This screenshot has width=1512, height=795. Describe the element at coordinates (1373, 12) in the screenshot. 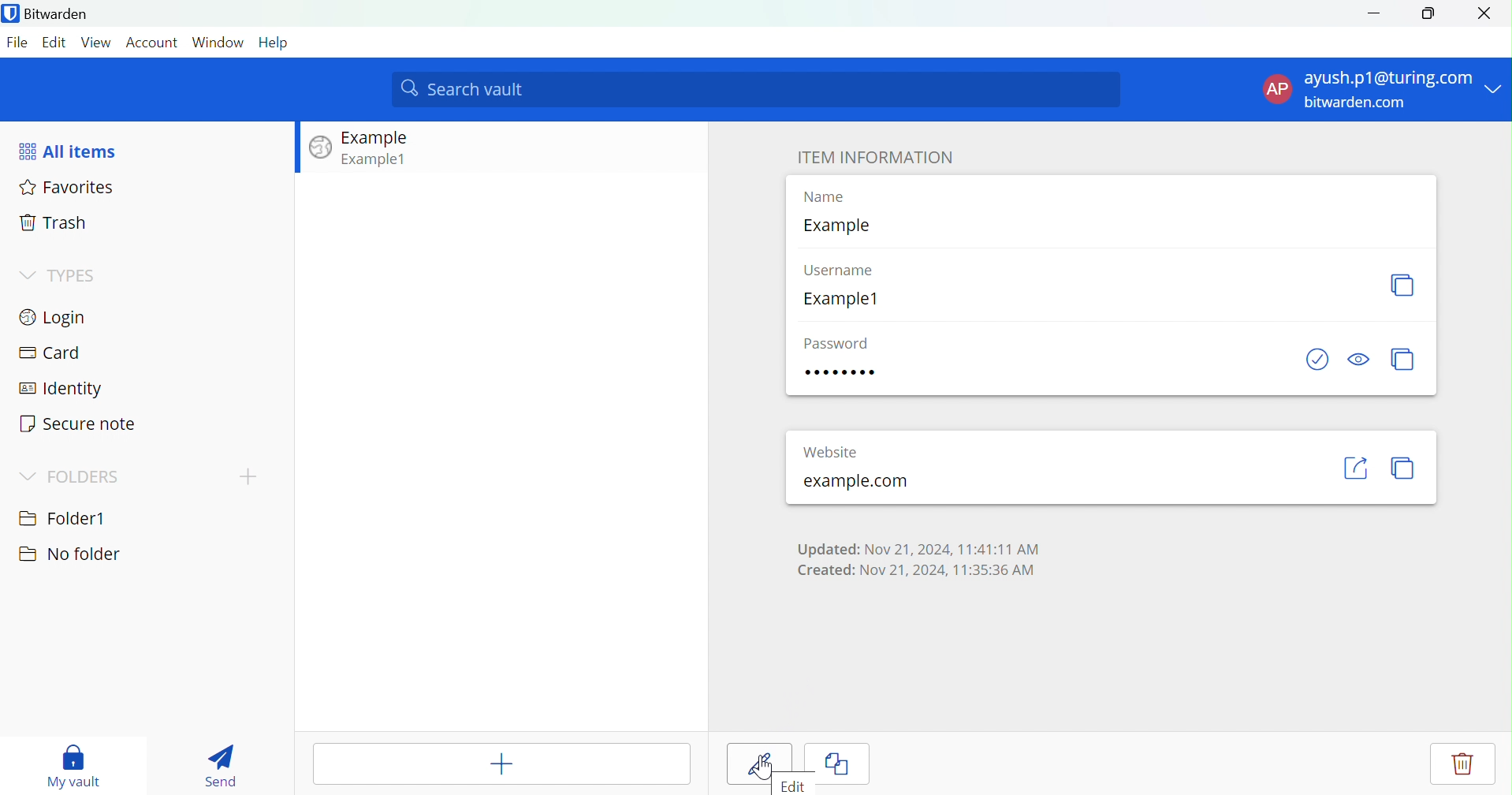

I see `Minimize` at that location.